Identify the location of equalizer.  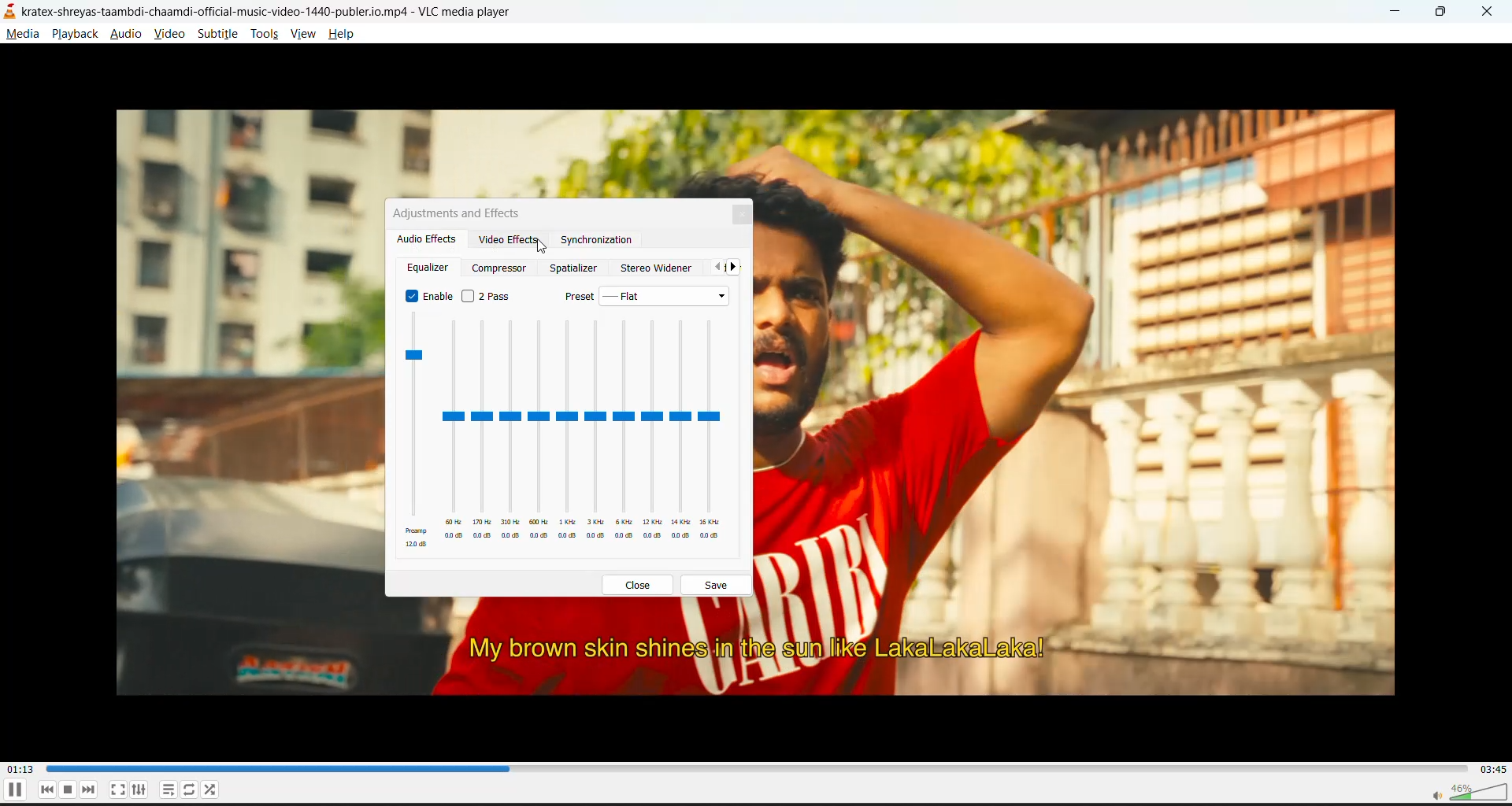
(428, 269).